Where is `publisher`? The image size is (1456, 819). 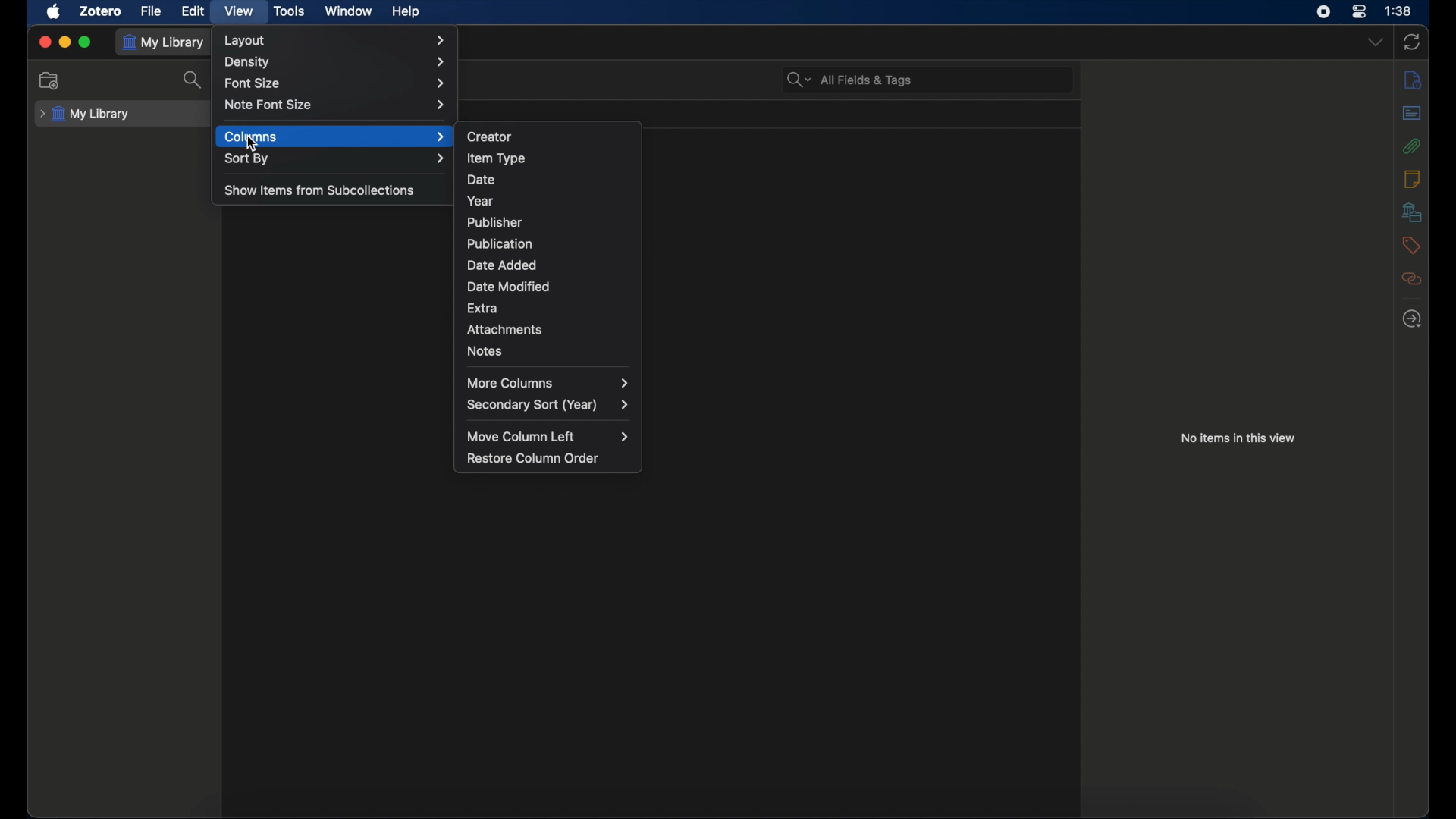
publisher is located at coordinates (496, 221).